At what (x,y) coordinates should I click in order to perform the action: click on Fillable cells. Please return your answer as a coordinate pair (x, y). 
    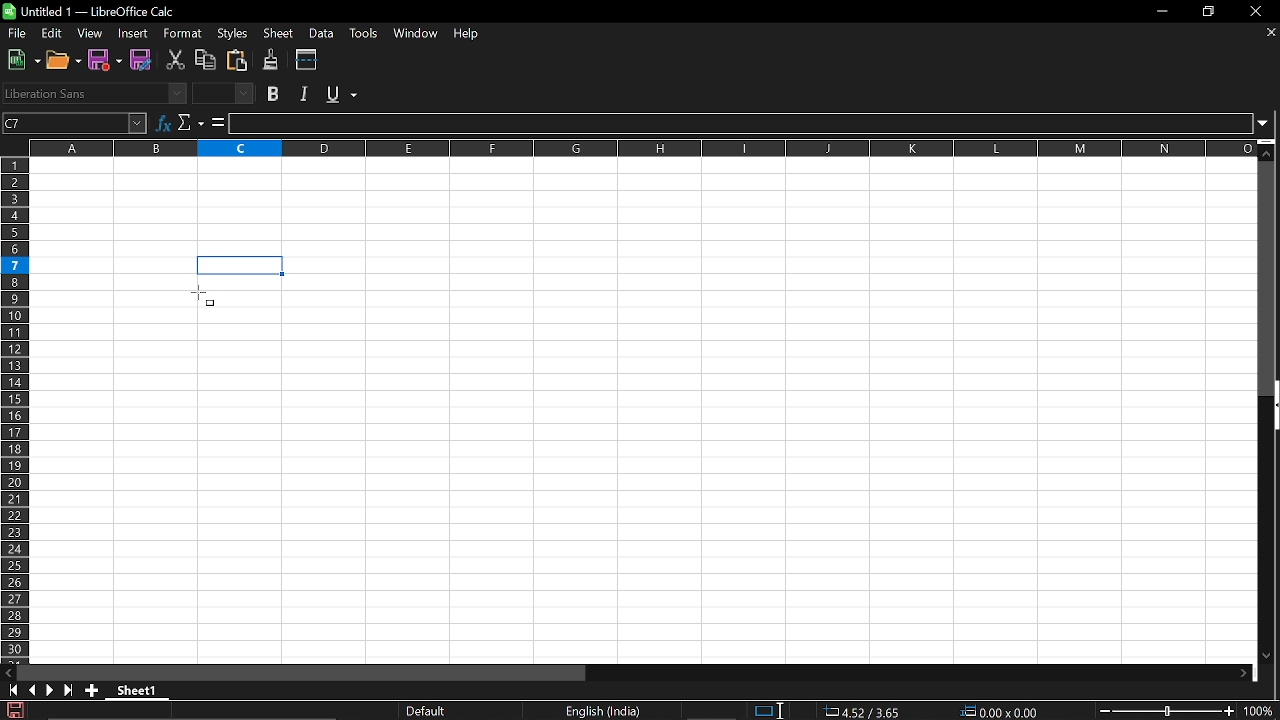
    Looking at the image, I should click on (644, 206).